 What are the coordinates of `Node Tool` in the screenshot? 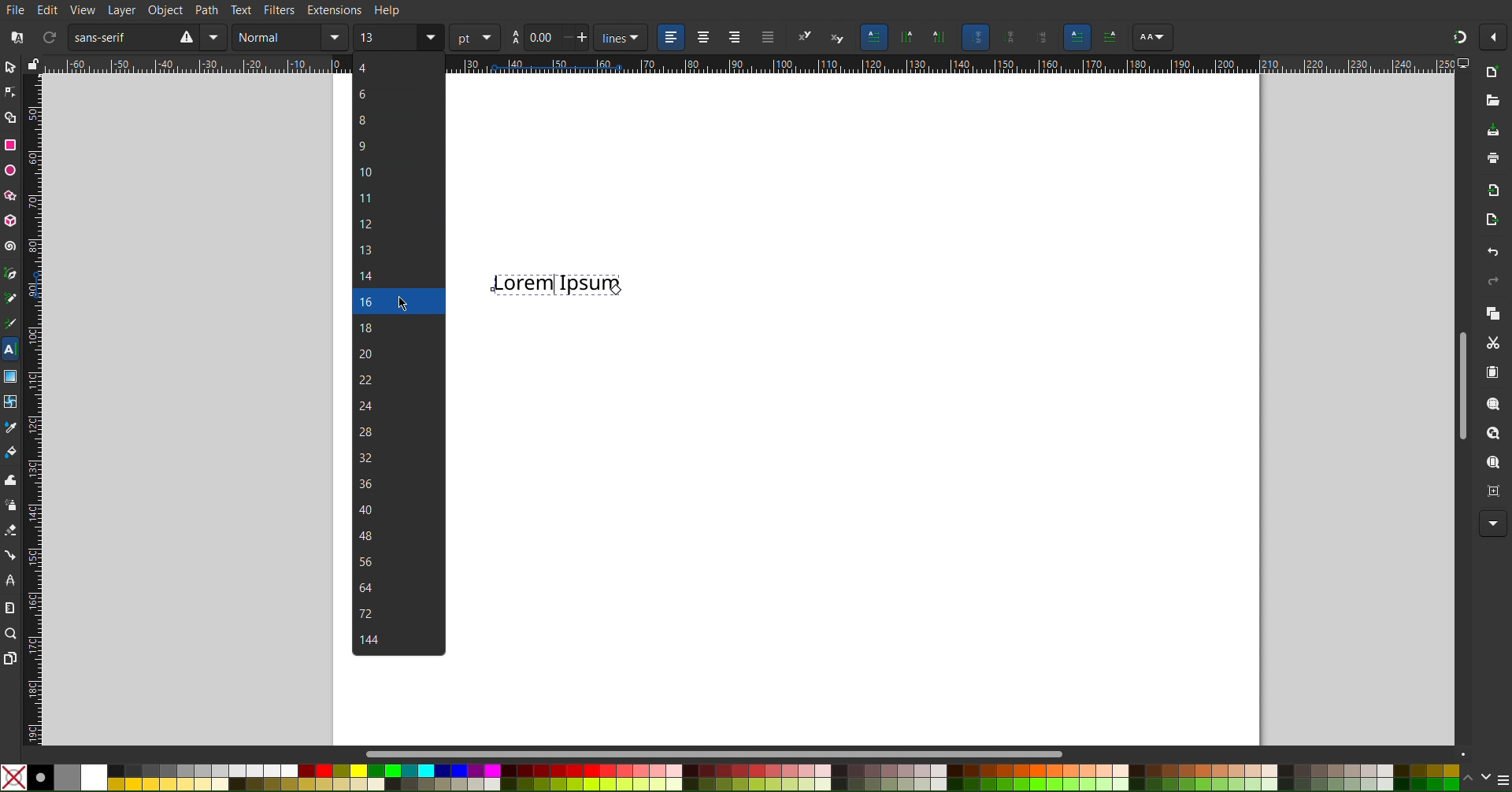 It's located at (11, 93).